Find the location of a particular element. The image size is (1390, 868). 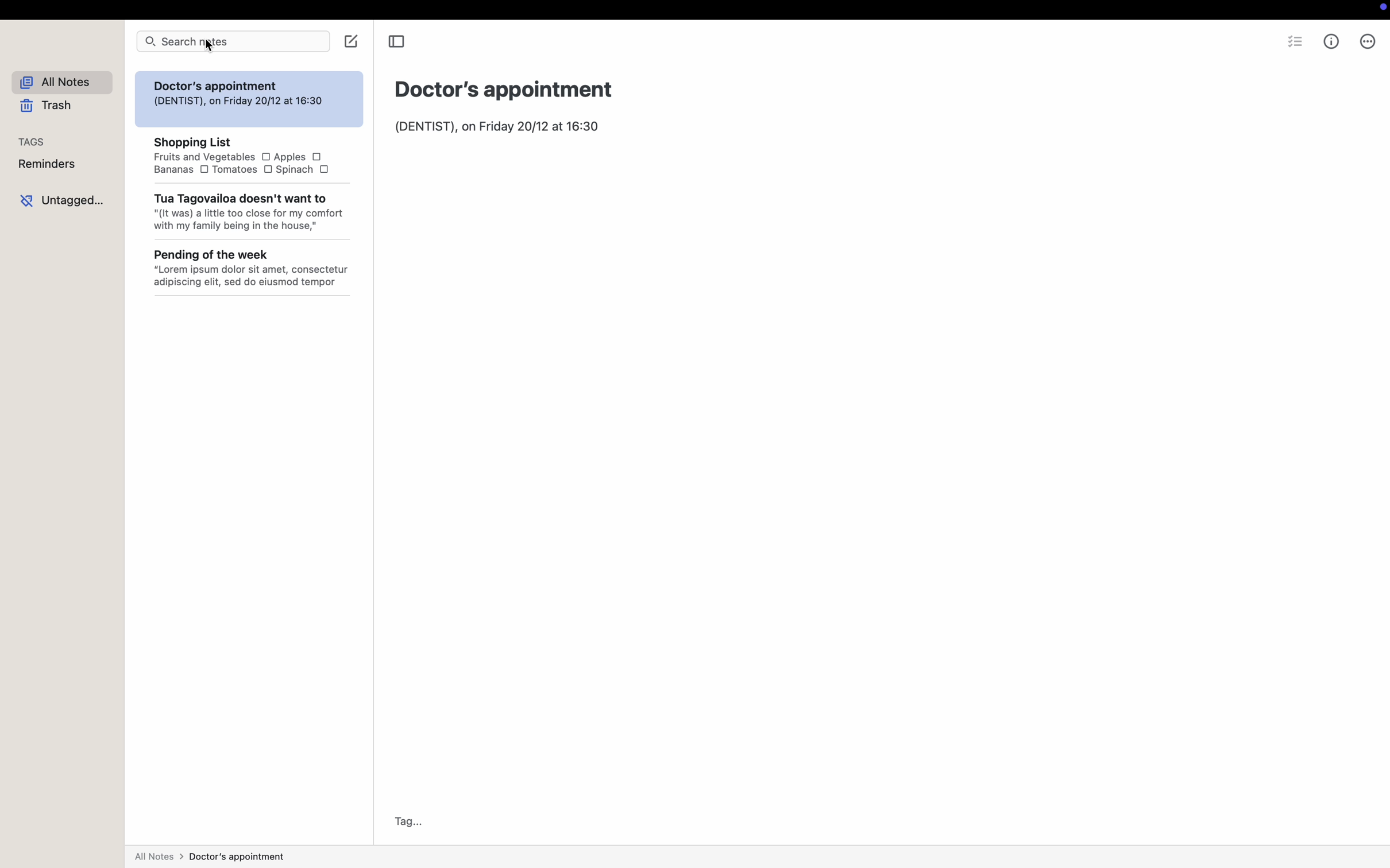

screen controls is located at coordinates (1380, 10).